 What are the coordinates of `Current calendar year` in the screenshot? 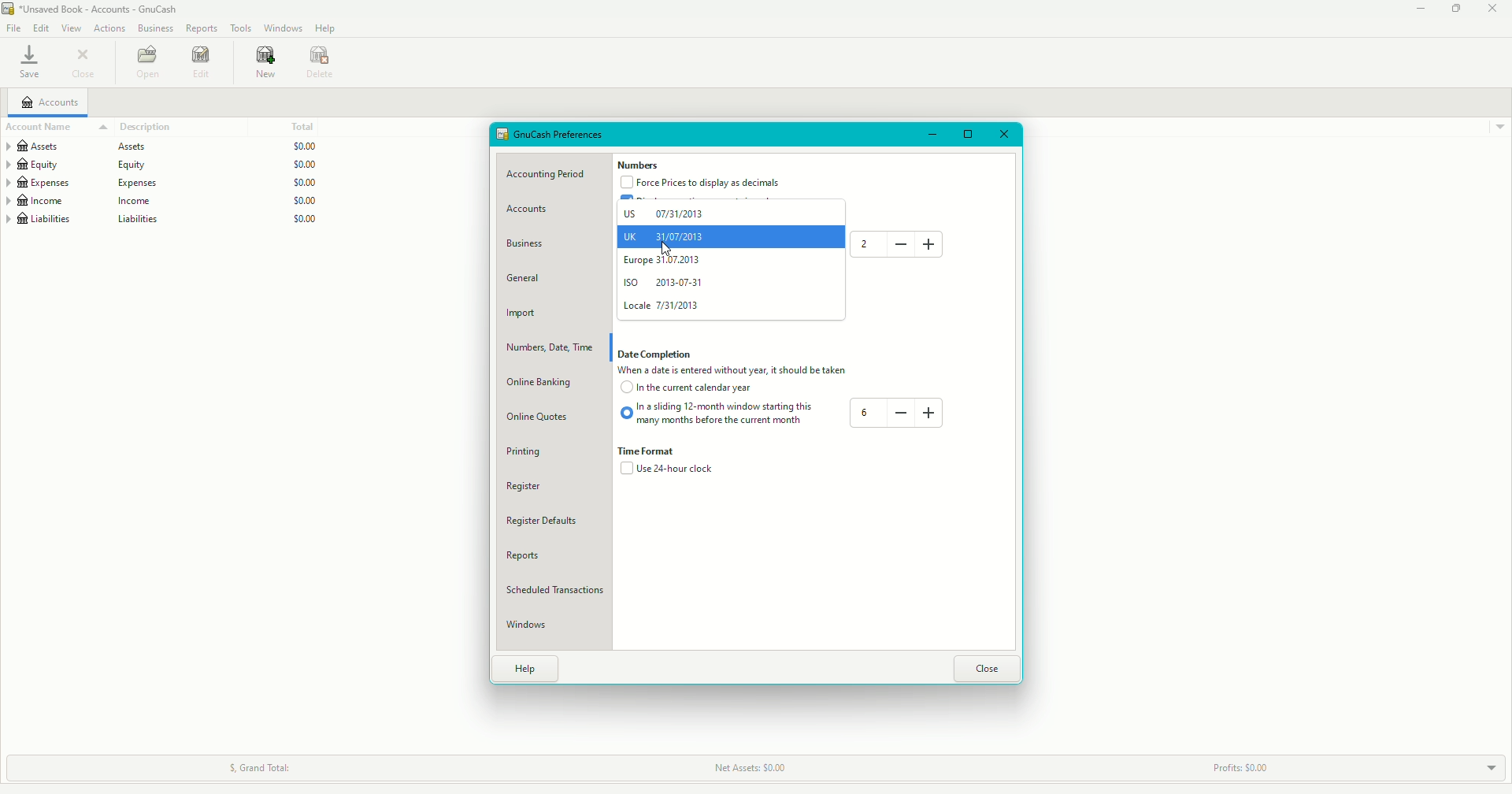 It's located at (690, 391).